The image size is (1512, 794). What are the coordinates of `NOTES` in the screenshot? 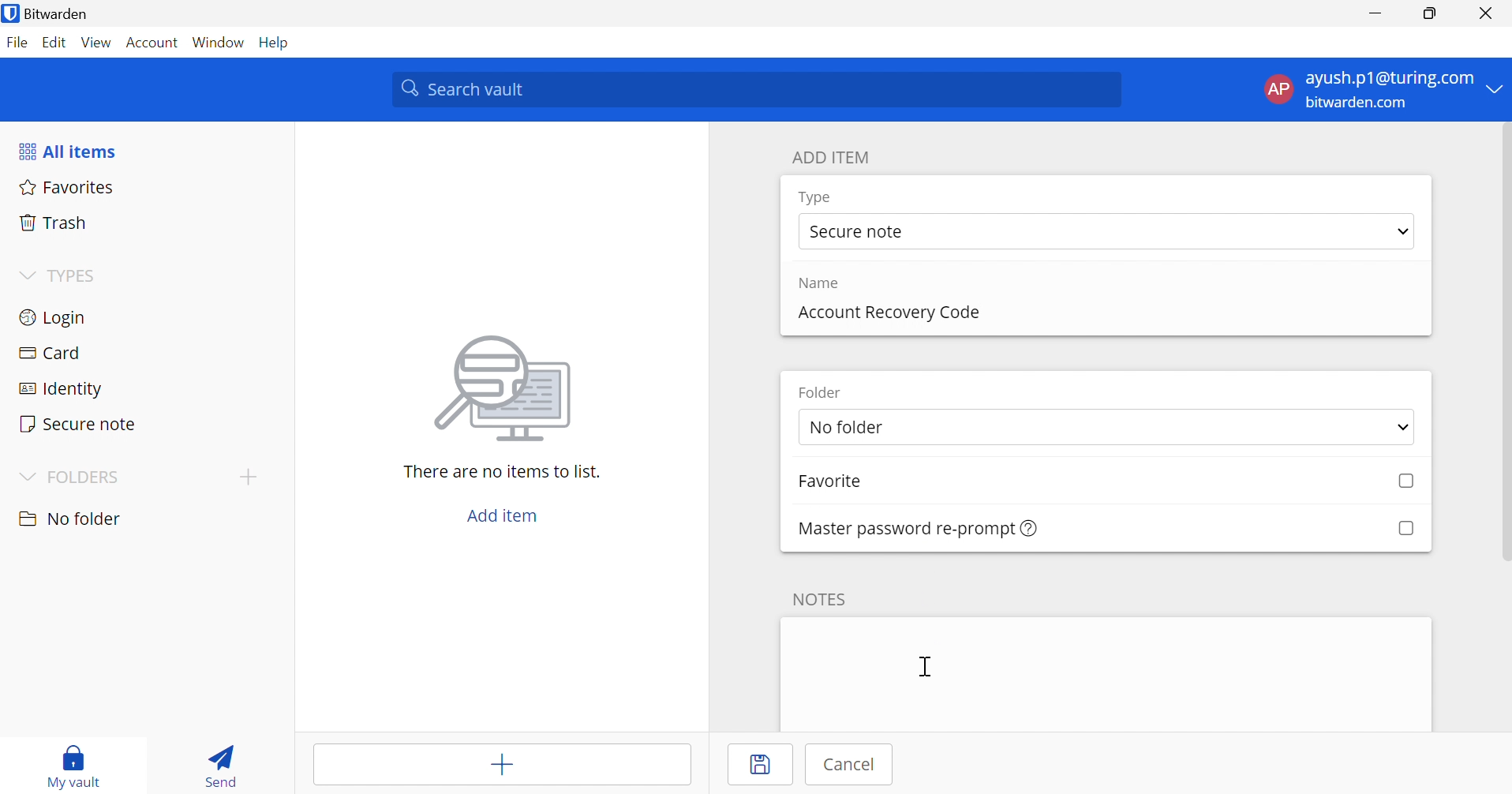 It's located at (825, 597).